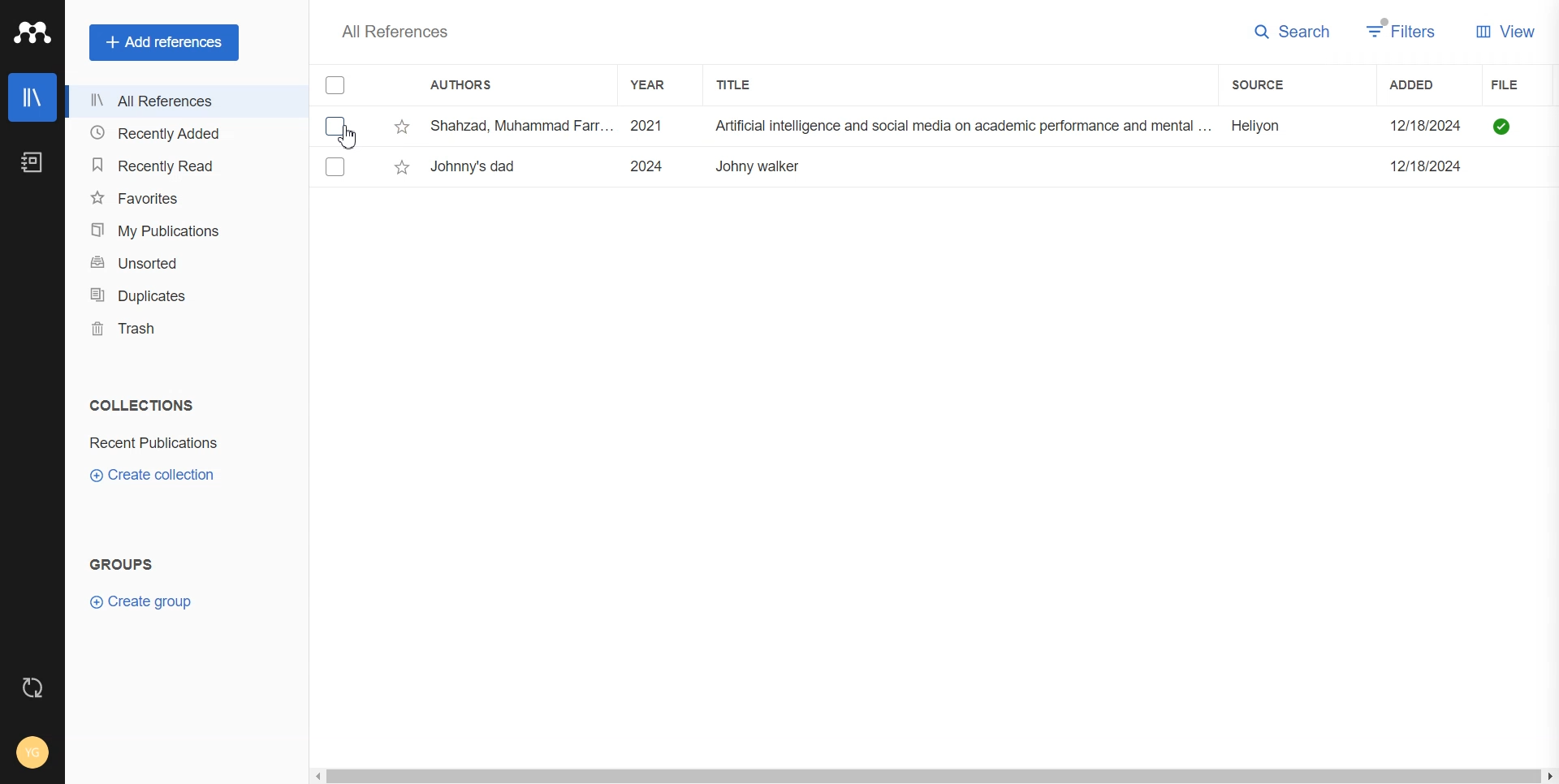  I want to click on Title, so click(748, 84).